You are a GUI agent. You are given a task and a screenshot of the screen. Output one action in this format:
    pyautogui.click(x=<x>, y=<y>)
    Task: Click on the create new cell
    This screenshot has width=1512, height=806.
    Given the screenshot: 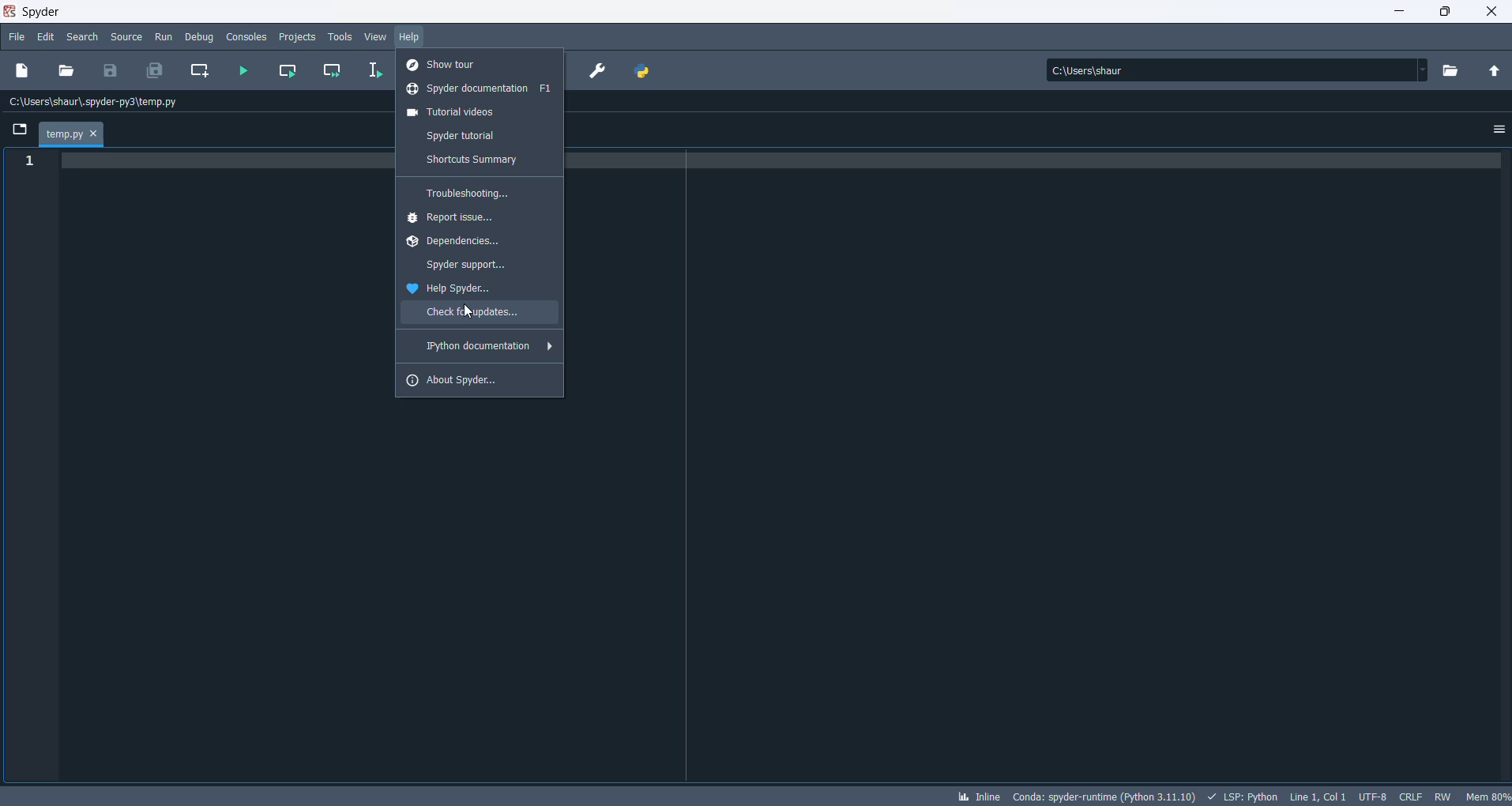 What is the action you would take?
    pyautogui.click(x=201, y=71)
    